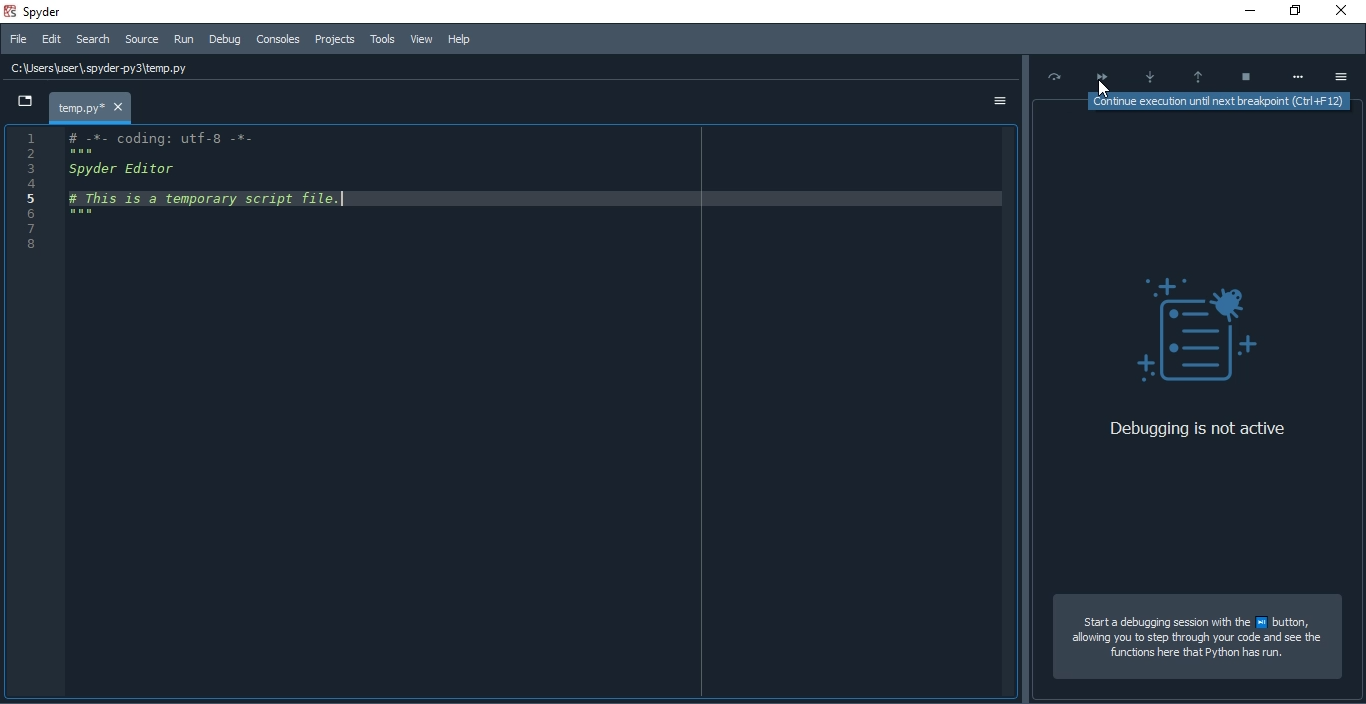 This screenshot has height=704, width=1366. I want to click on temp.py, so click(91, 106).